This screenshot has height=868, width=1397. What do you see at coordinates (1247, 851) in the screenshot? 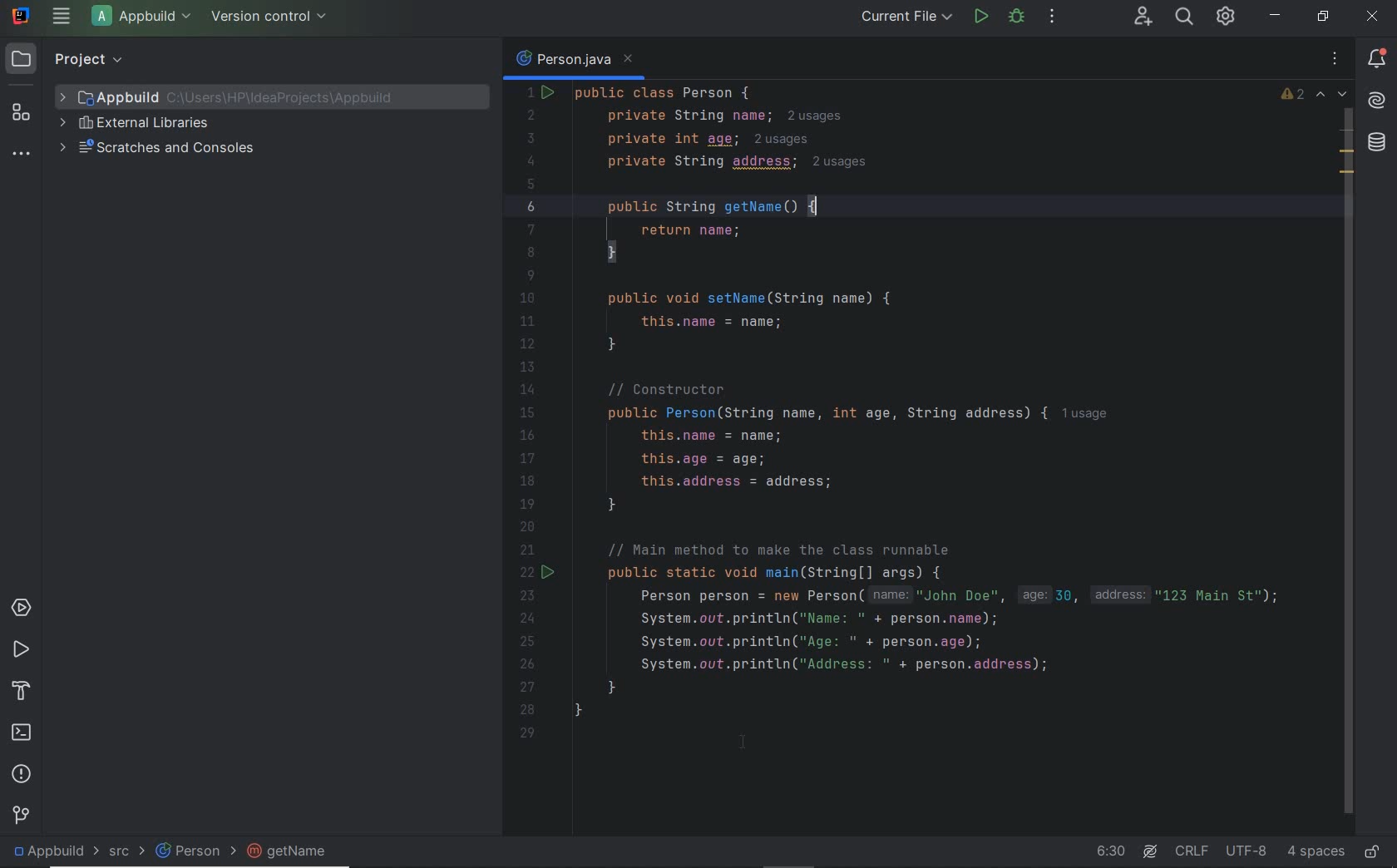
I see `file encoding` at bounding box center [1247, 851].